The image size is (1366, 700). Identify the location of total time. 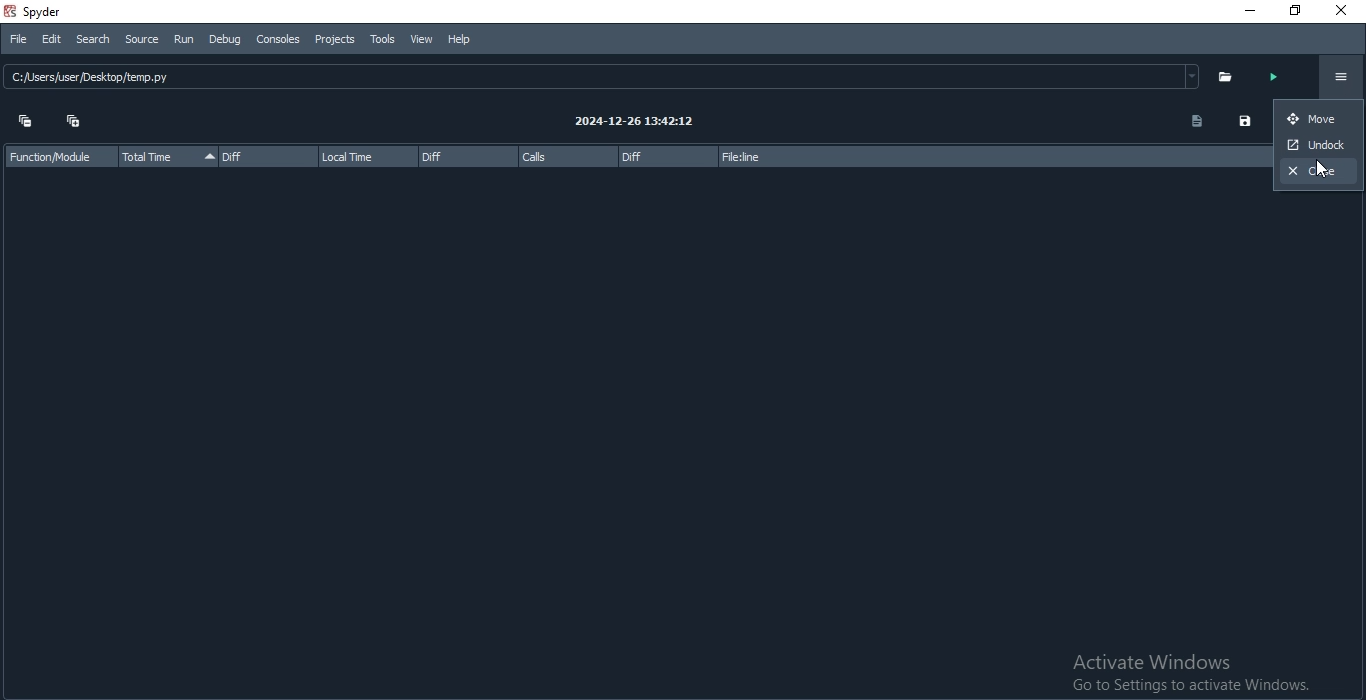
(164, 155).